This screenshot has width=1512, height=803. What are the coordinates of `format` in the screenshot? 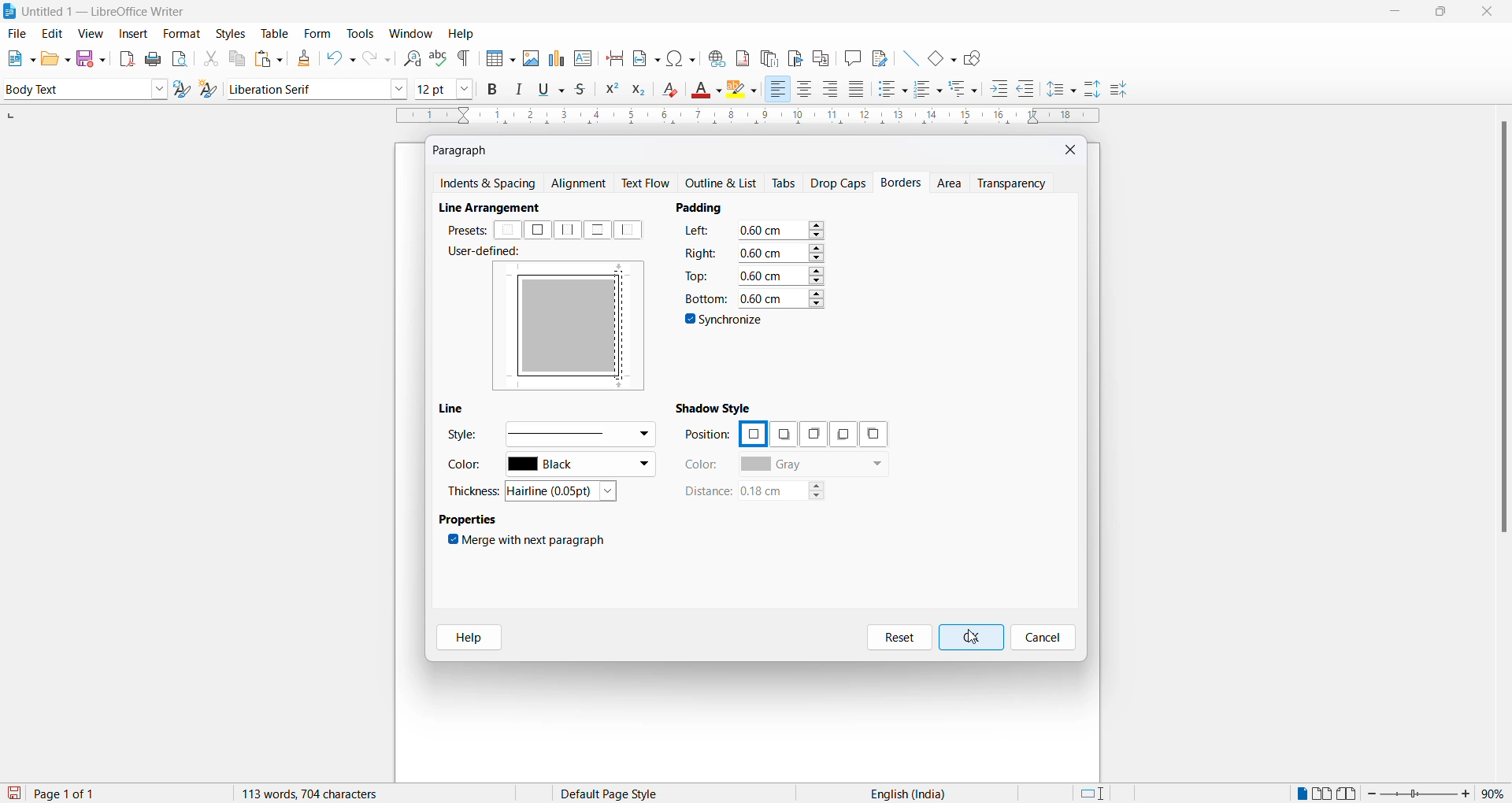 It's located at (178, 35).